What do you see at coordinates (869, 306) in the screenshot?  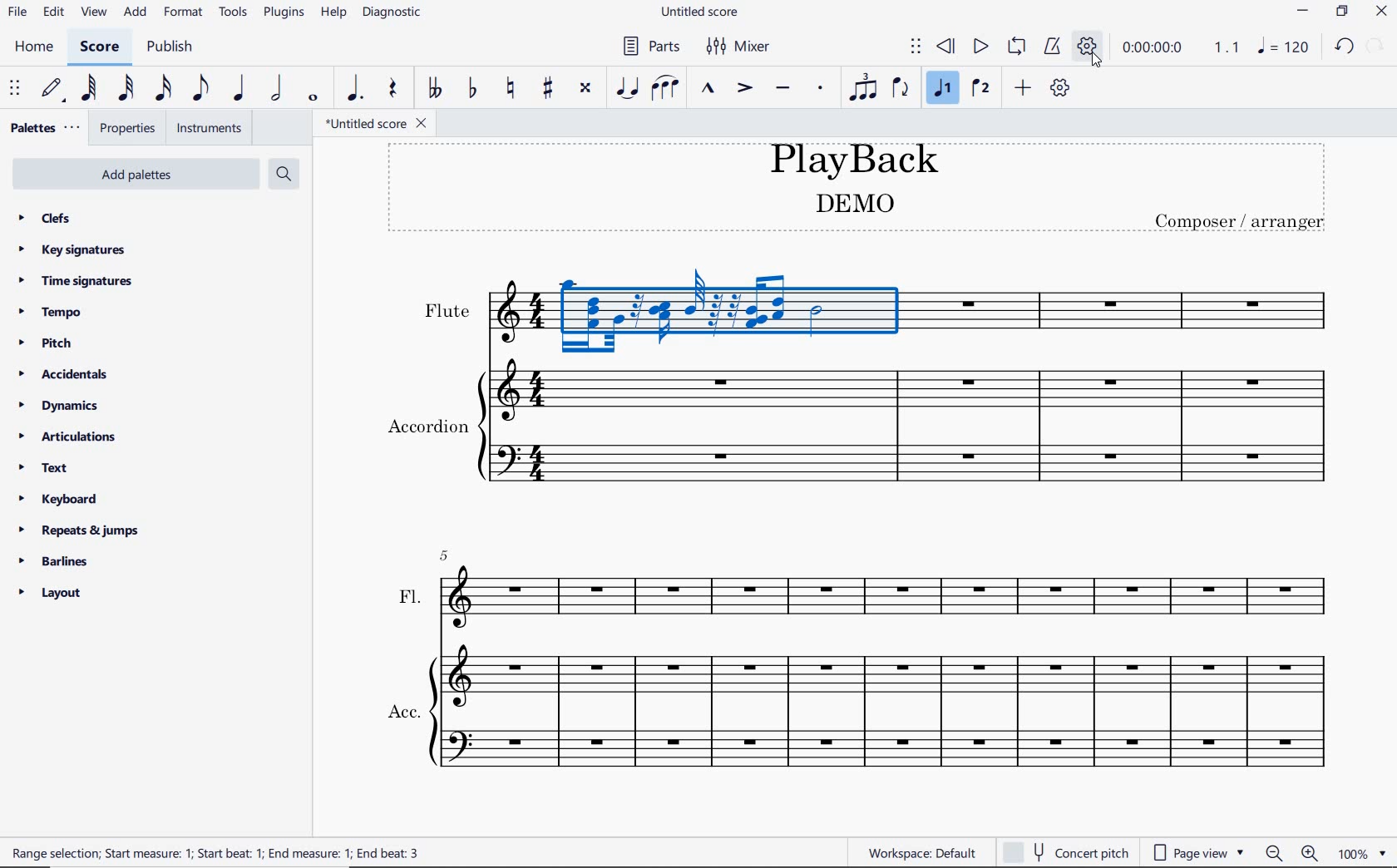 I see `Instrument: Flute` at bounding box center [869, 306].